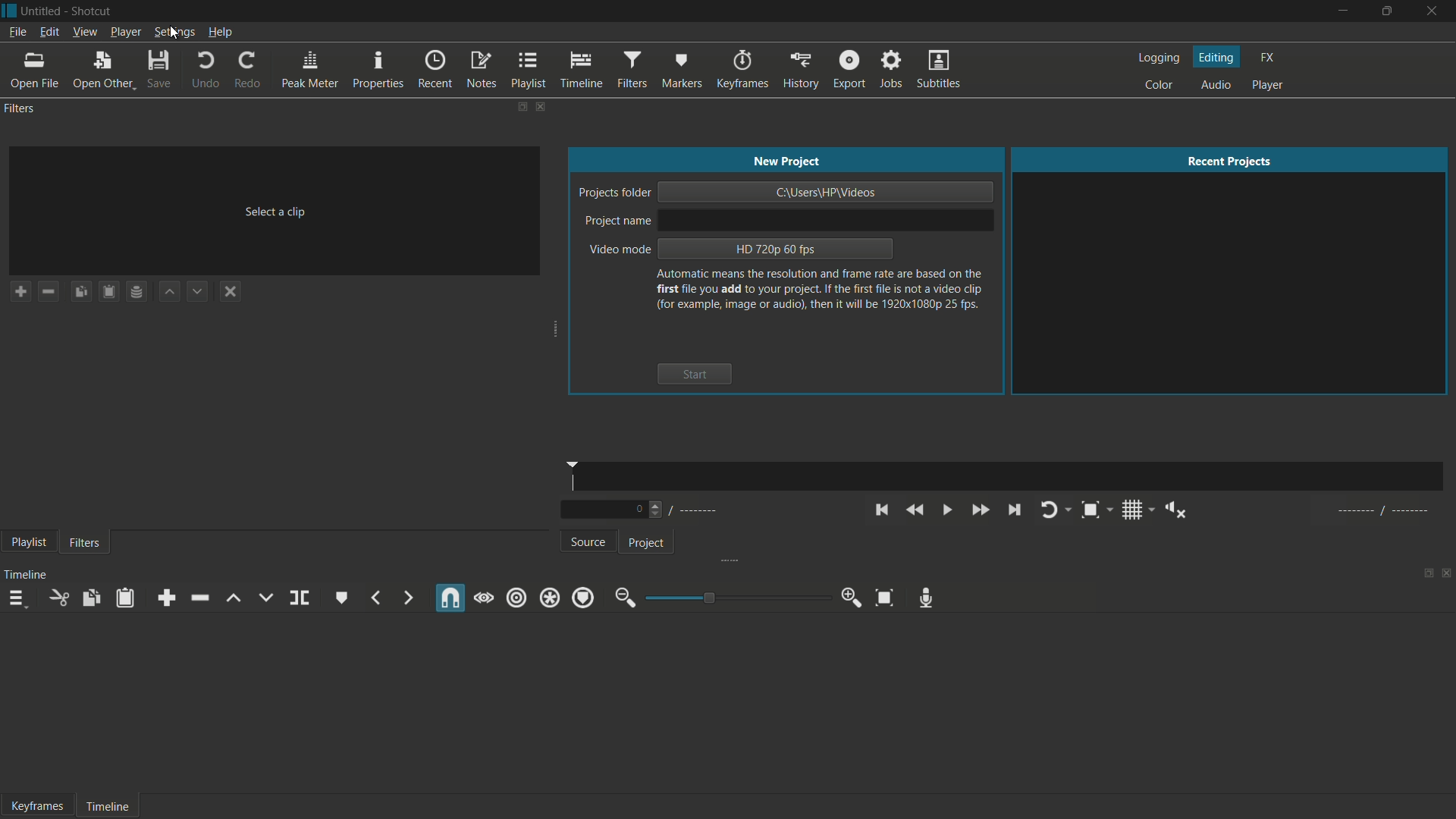 The image size is (1456, 819). I want to click on close filters, so click(540, 106).